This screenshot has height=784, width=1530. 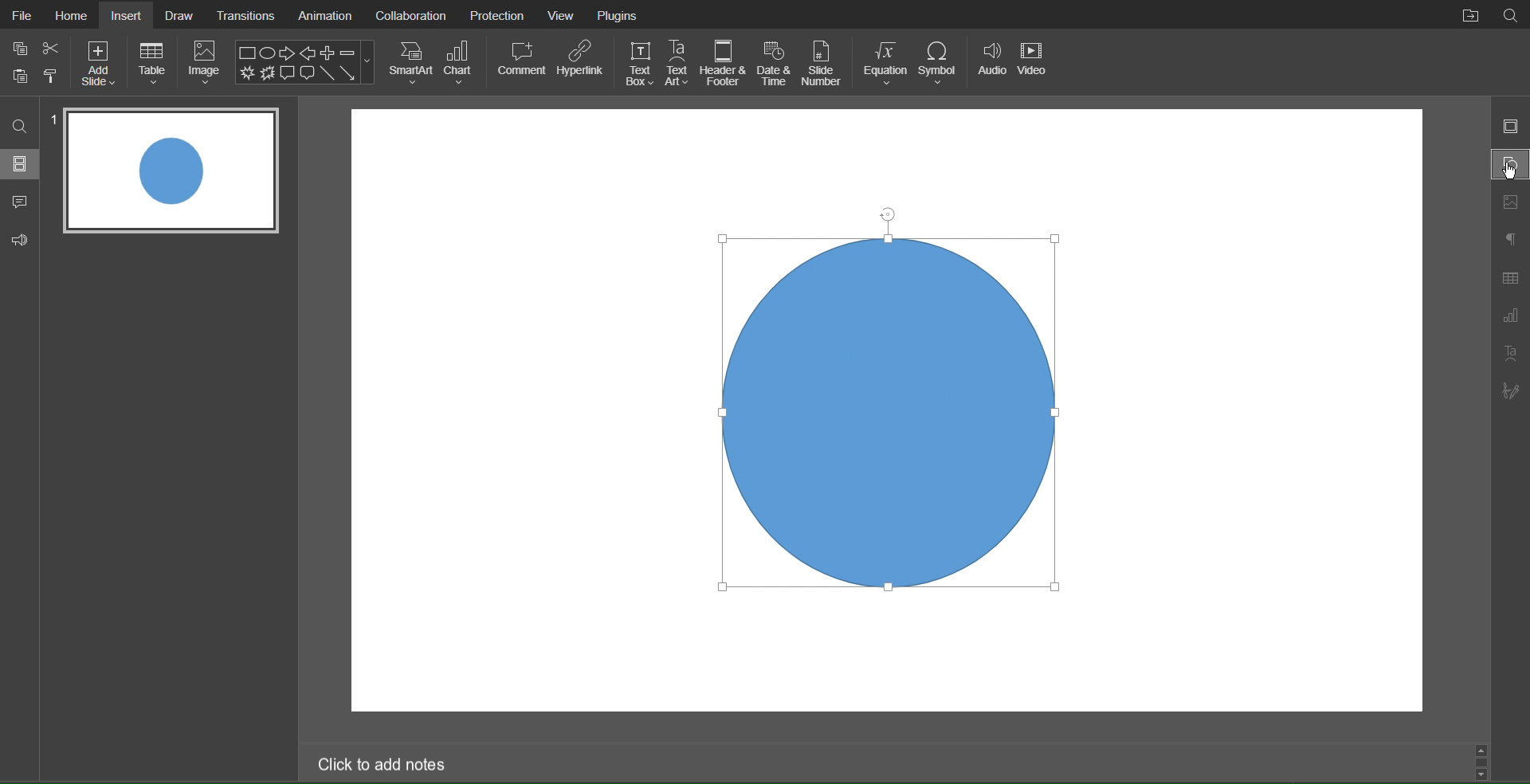 I want to click on cut, so click(x=48, y=46).